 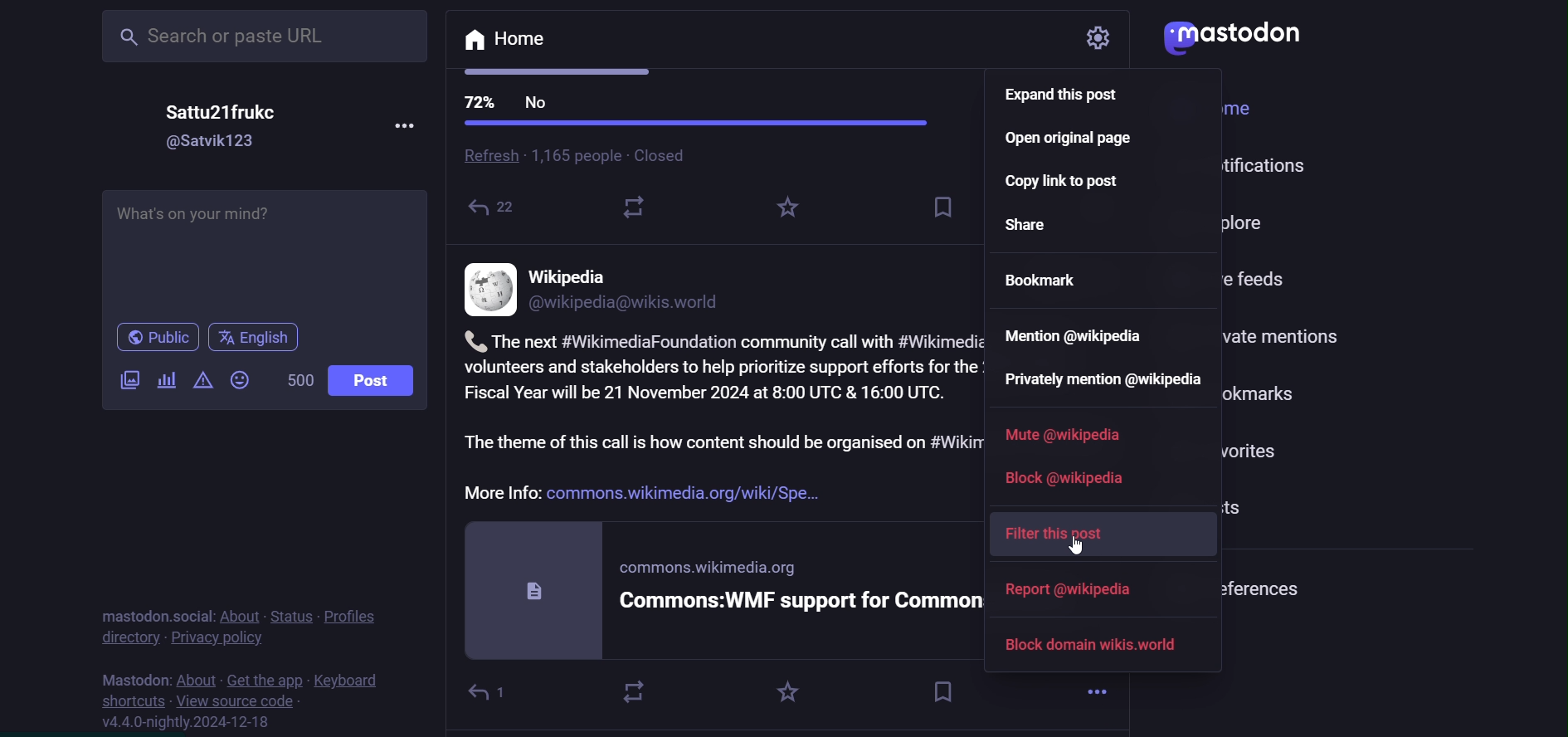 What do you see at coordinates (505, 41) in the screenshot?
I see `home` at bounding box center [505, 41].